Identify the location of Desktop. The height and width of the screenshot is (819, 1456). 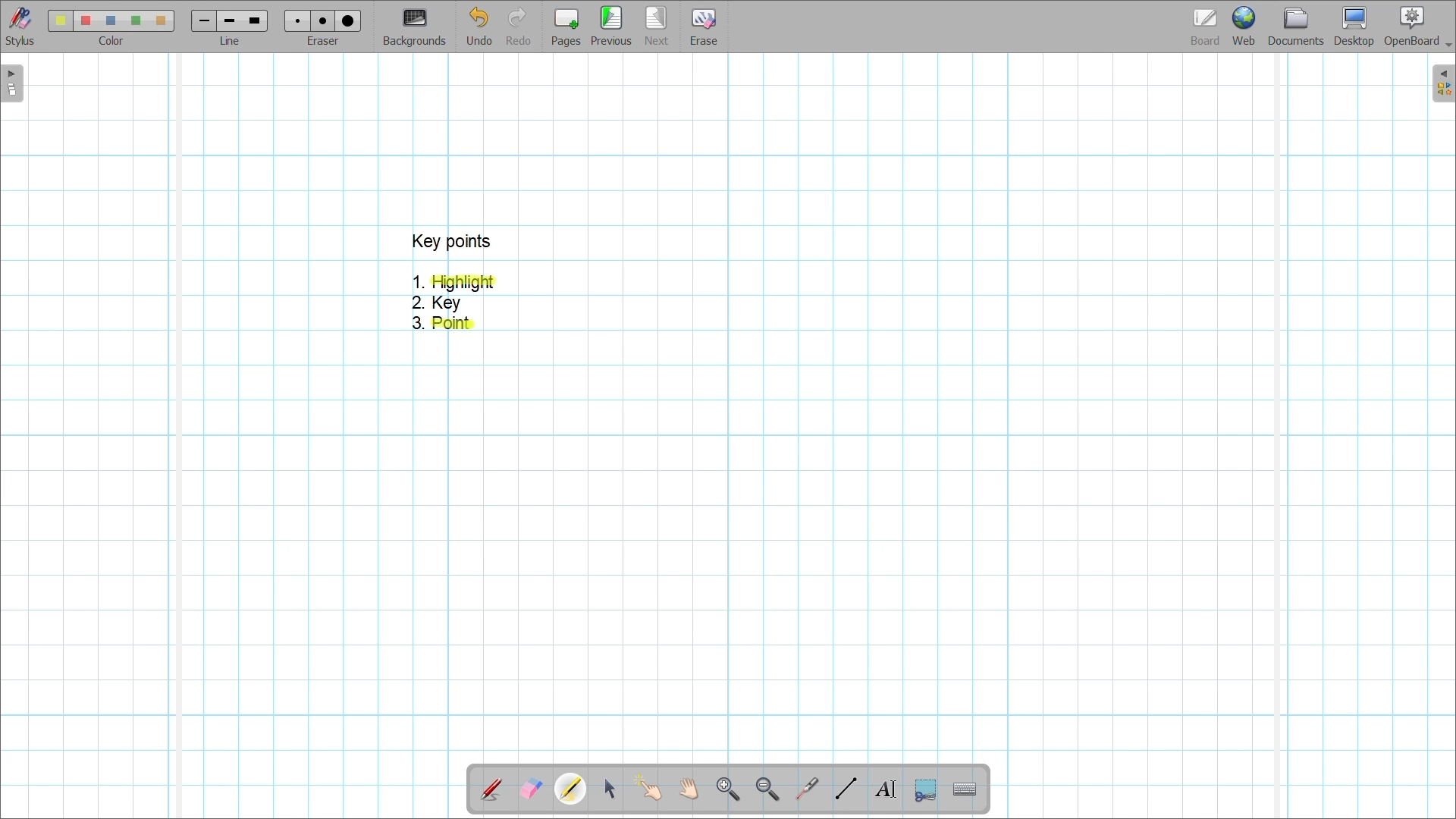
(1354, 27).